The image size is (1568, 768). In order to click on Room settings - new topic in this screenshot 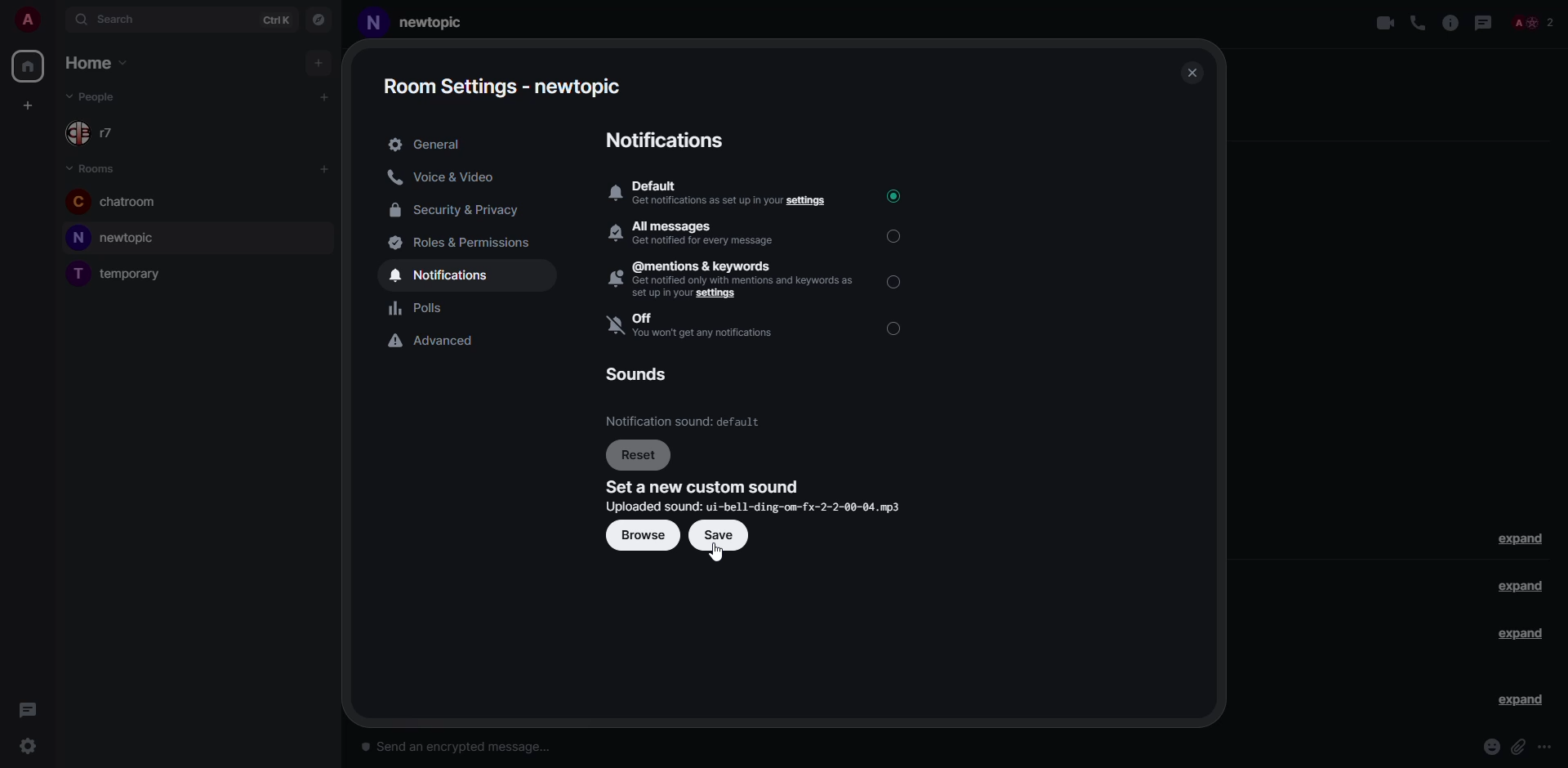, I will do `click(501, 86)`.